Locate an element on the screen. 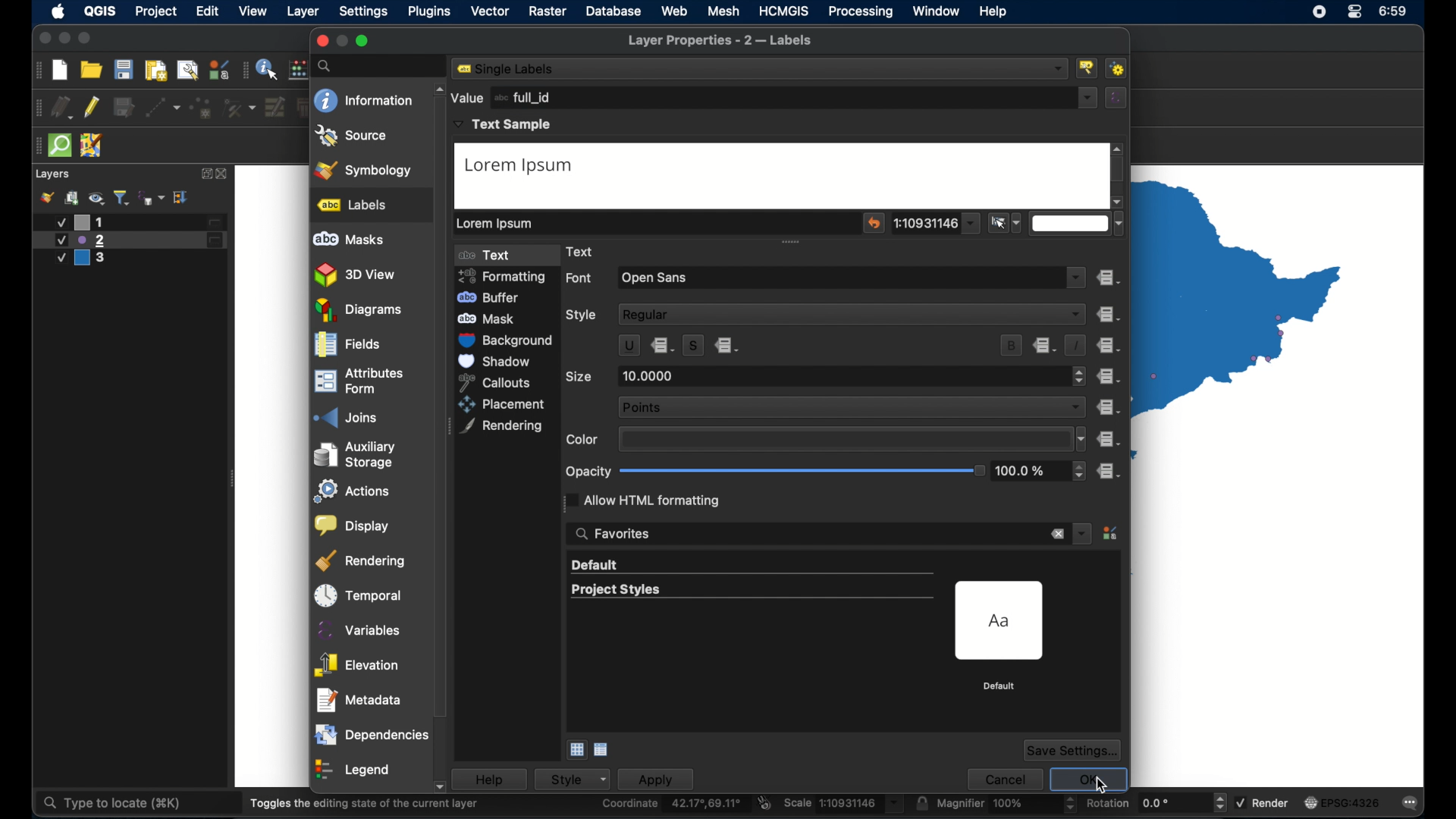  control center is located at coordinates (1356, 11).